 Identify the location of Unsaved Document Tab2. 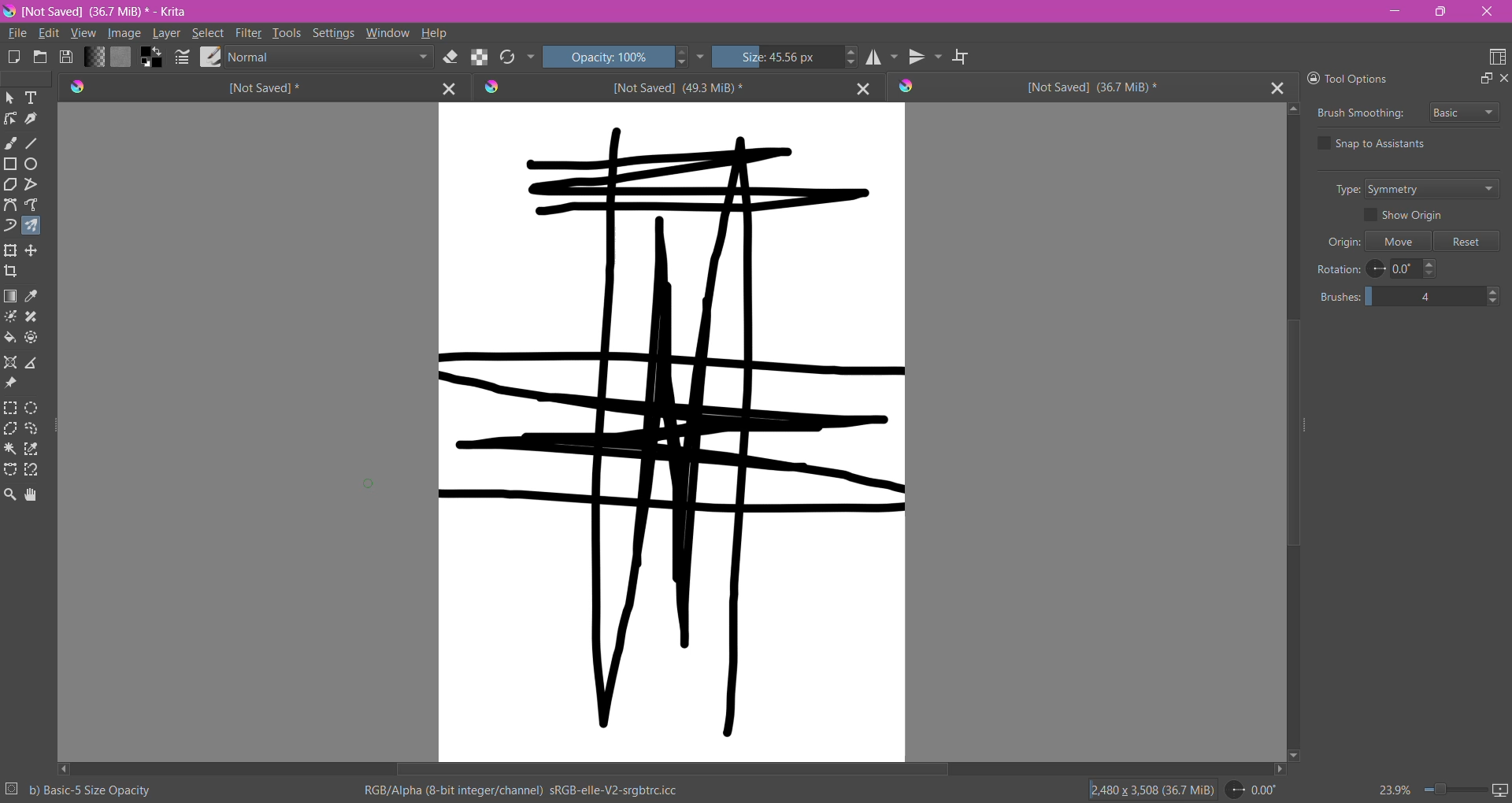
(652, 87).